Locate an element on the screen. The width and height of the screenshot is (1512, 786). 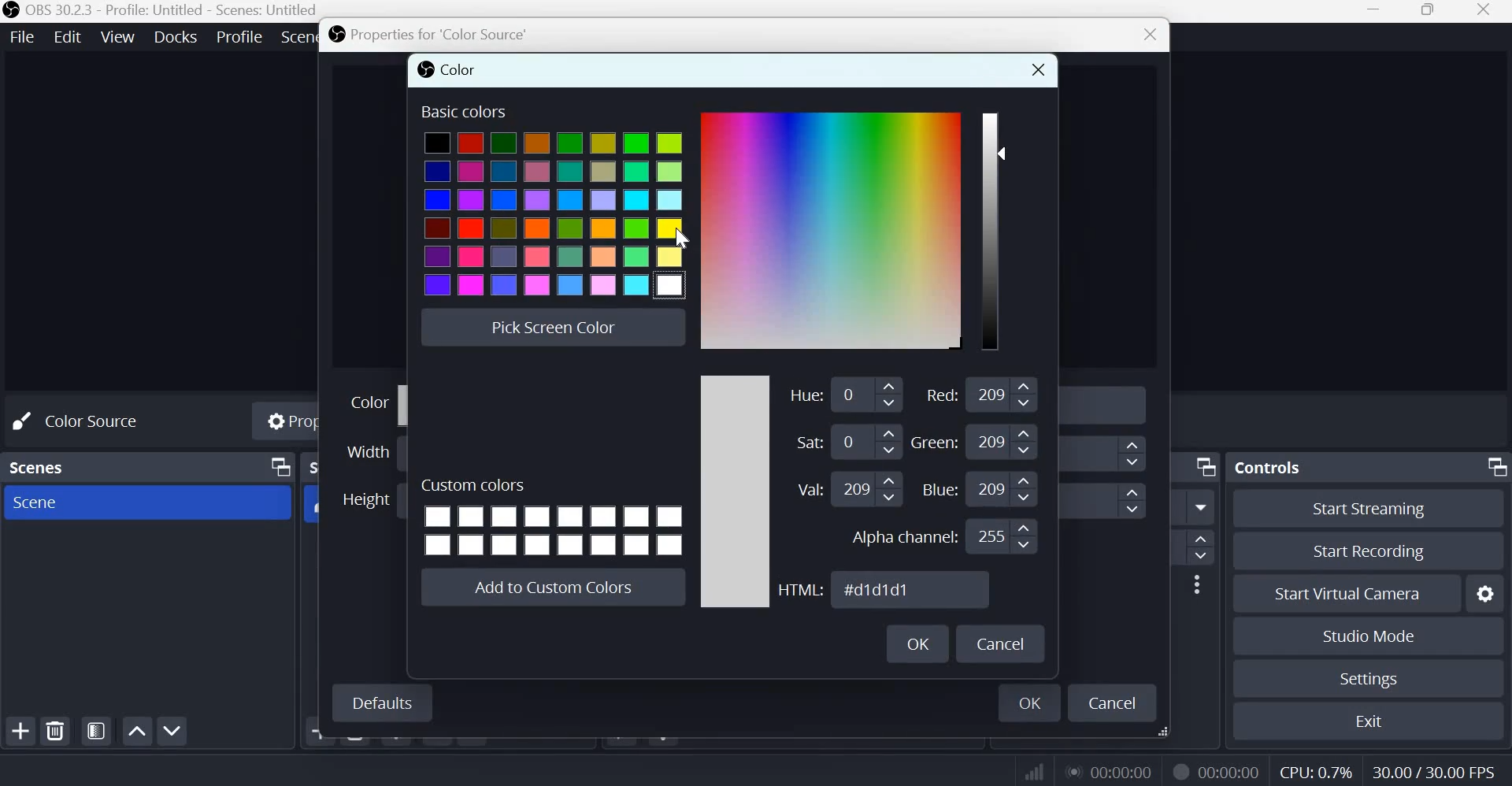
Open scene filters is located at coordinates (96, 732).